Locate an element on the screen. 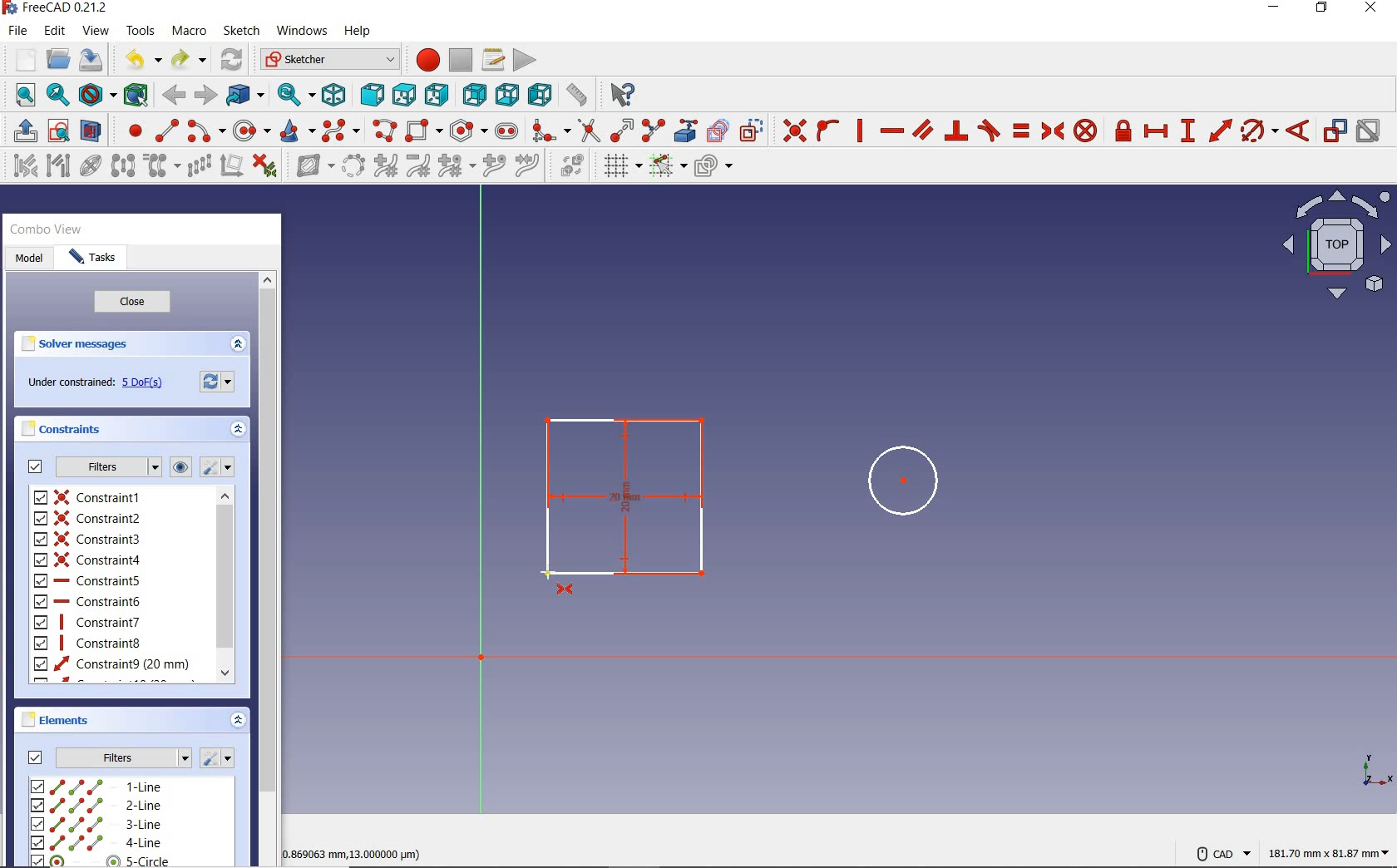 Image resolution: width=1397 pixels, height=868 pixels. what's this is located at coordinates (622, 94).